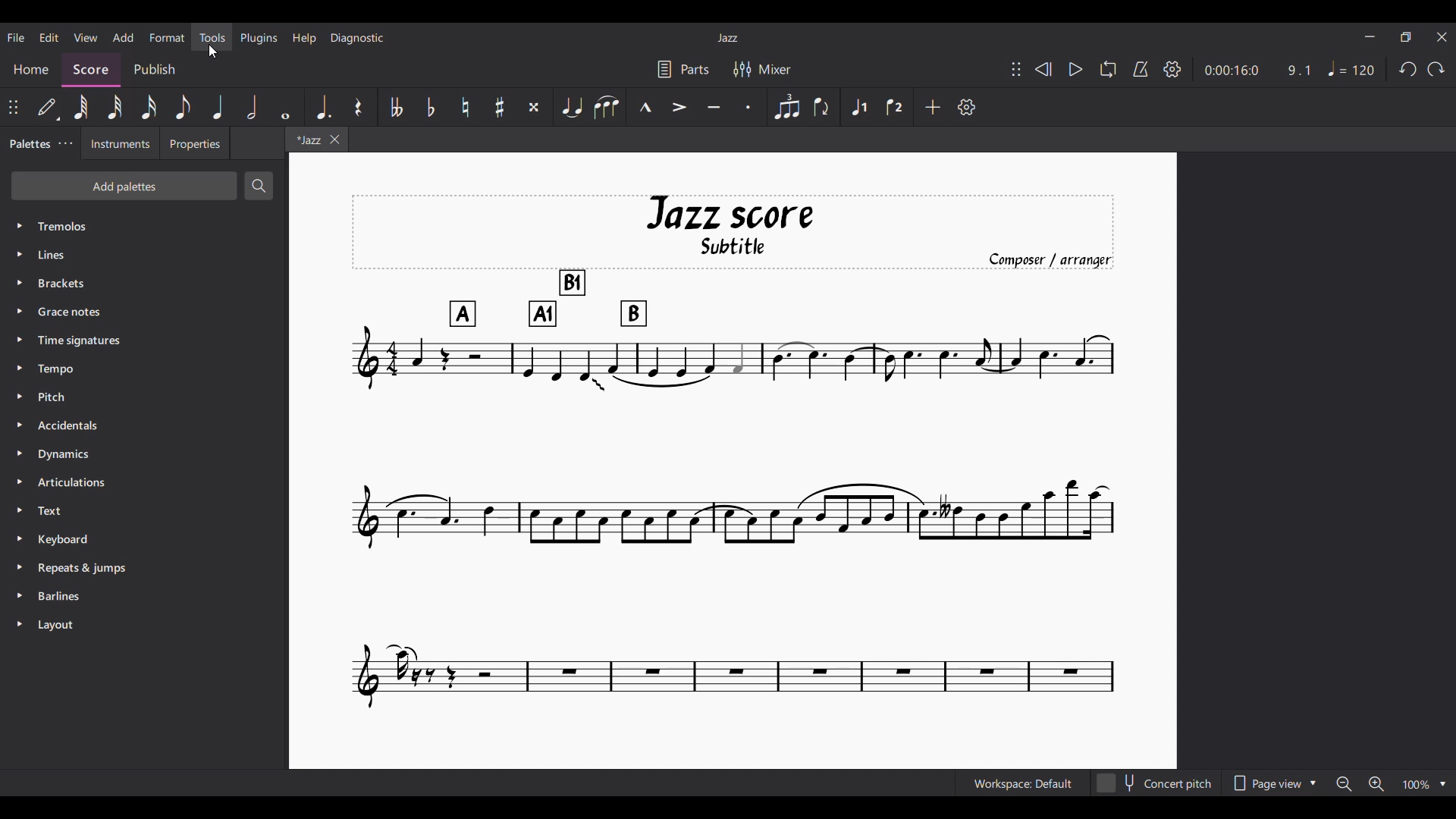 The width and height of the screenshot is (1456, 819). Describe the element at coordinates (895, 106) in the screenshot. I see `Voice 2` at that location.